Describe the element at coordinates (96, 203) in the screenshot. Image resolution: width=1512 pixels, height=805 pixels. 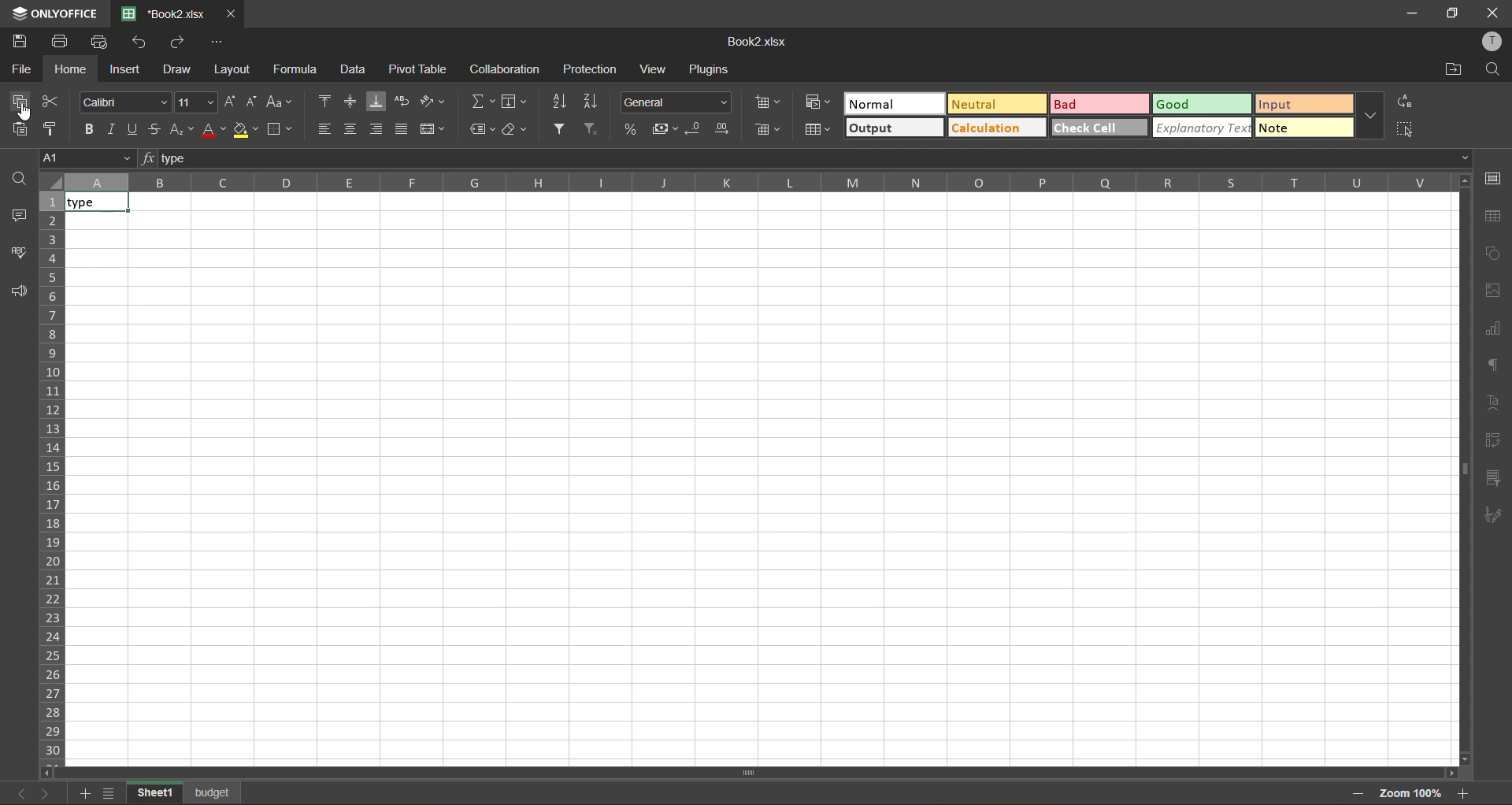
I see `type` at that location.